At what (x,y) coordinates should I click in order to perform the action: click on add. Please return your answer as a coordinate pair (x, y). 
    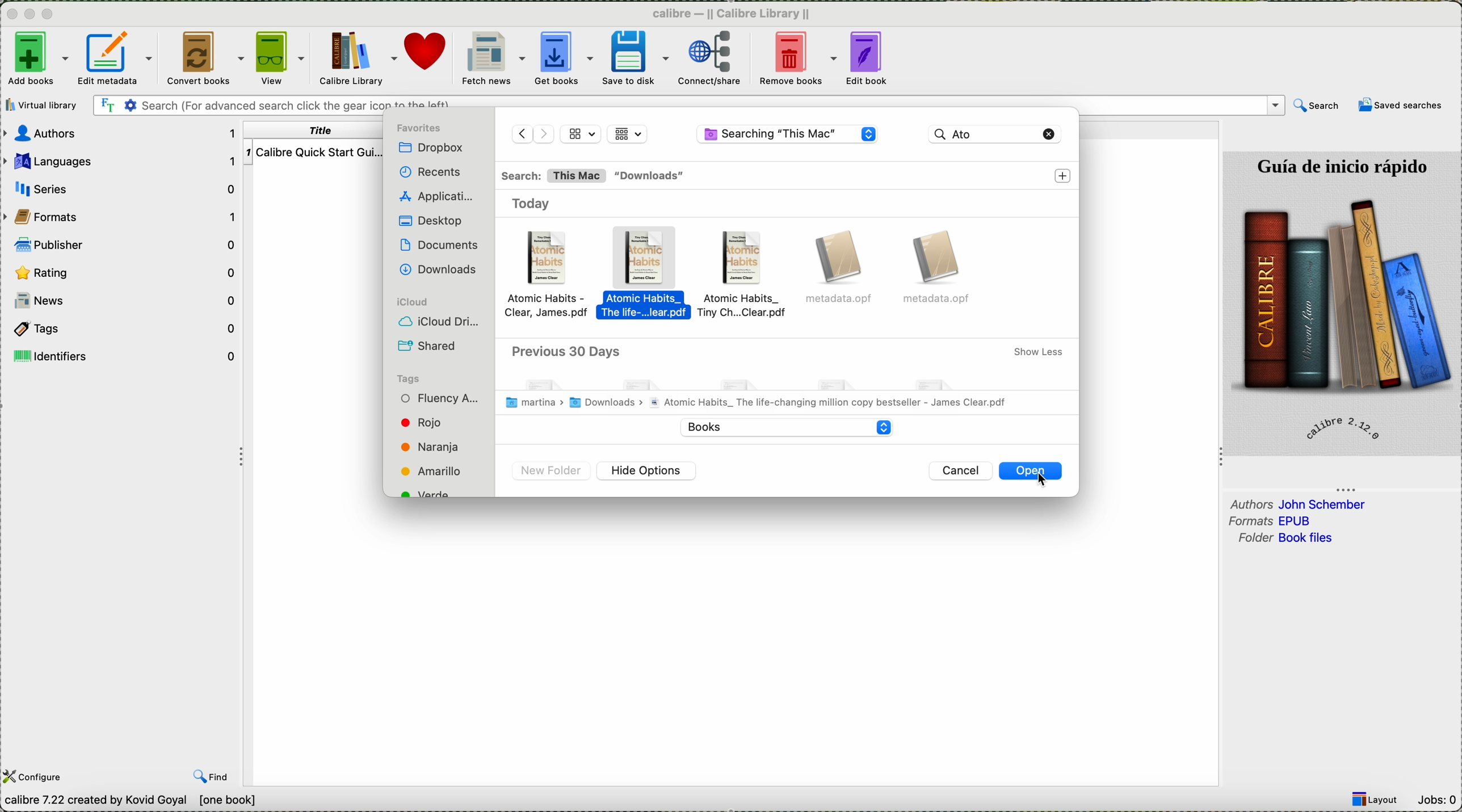
    Looking at the image, I should click on (1064, 176).